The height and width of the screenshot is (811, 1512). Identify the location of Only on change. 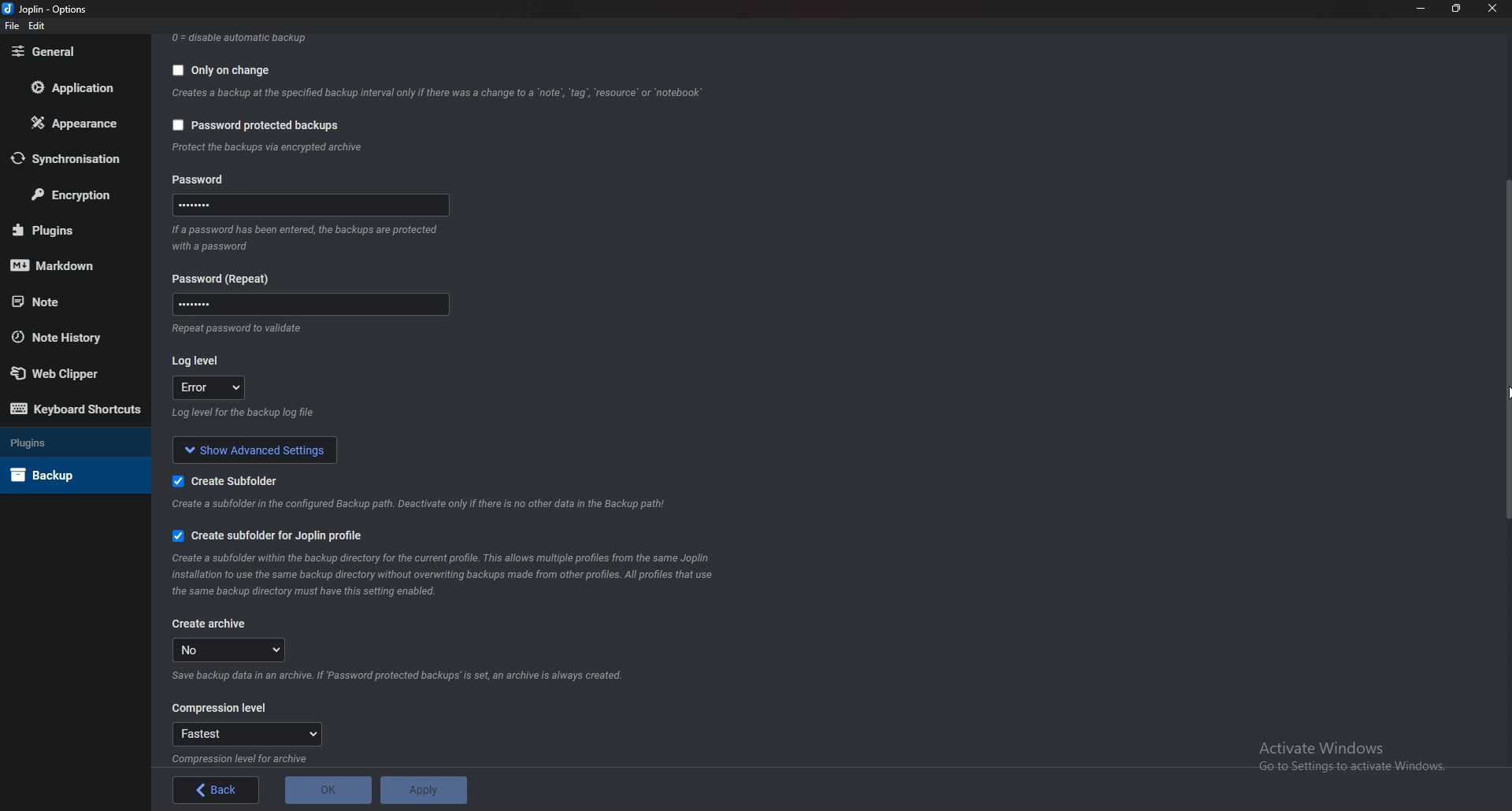
(217, 71).